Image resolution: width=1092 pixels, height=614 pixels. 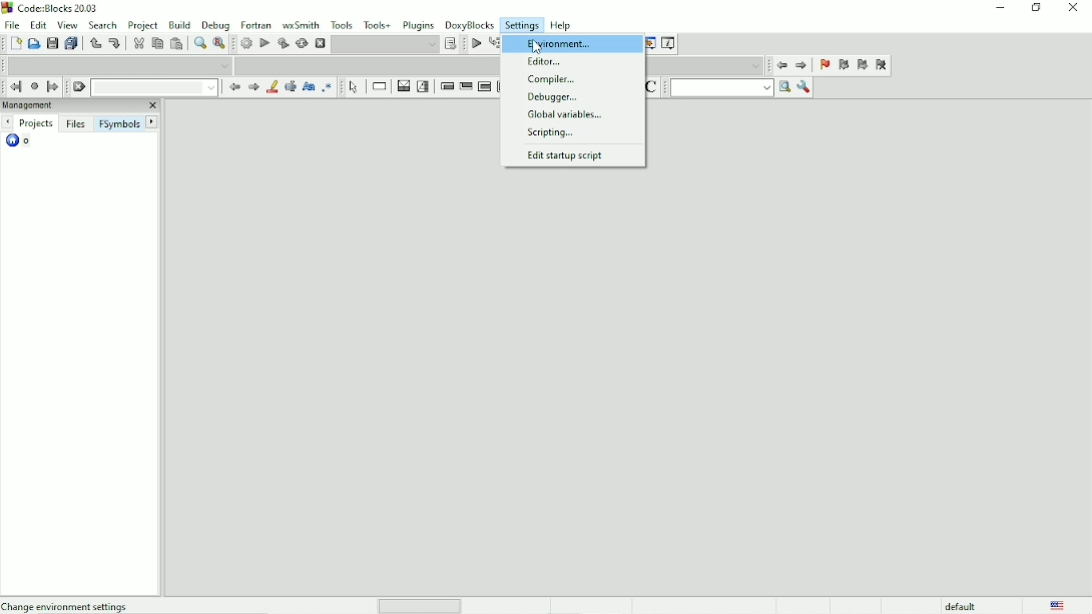 I want to click on Build, so click(x=247, y=43).